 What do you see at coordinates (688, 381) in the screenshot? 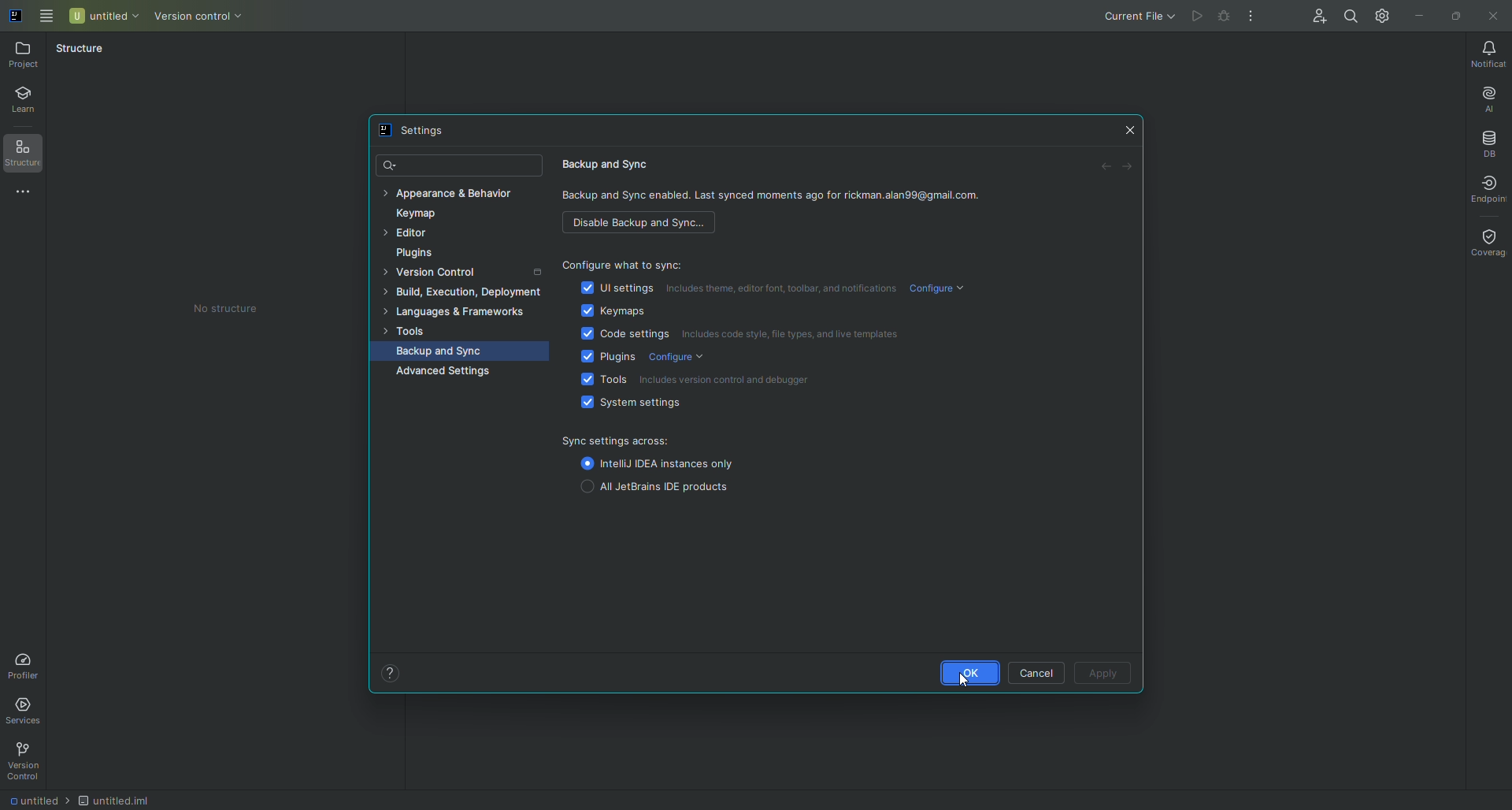
I see `Tools includes version control and debugger` at bounding box center [688, 381].